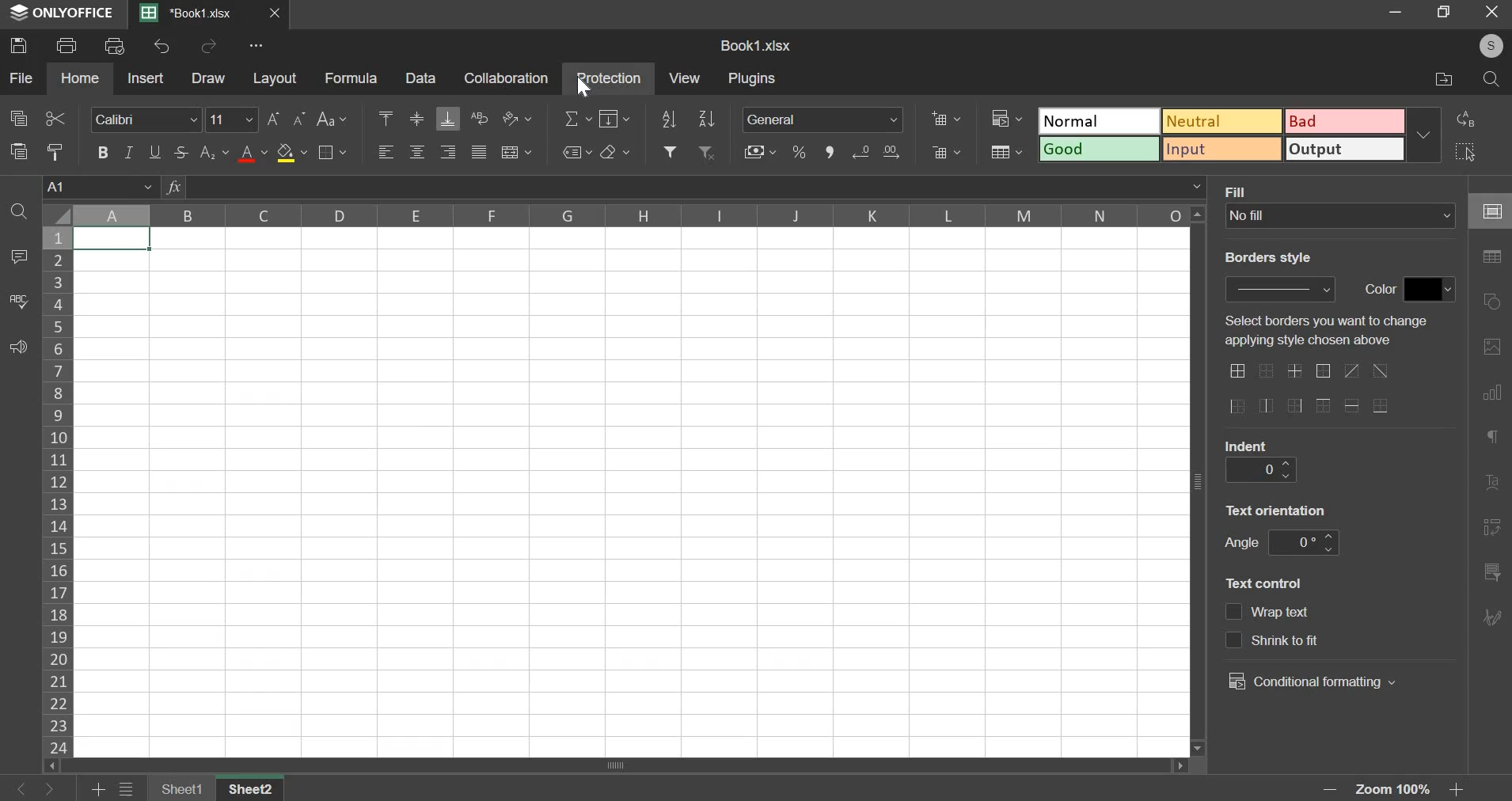  What do you see at coordinates (706, 119) in the screenshot?
I see `sort descending` at bounding box center [706, 119].